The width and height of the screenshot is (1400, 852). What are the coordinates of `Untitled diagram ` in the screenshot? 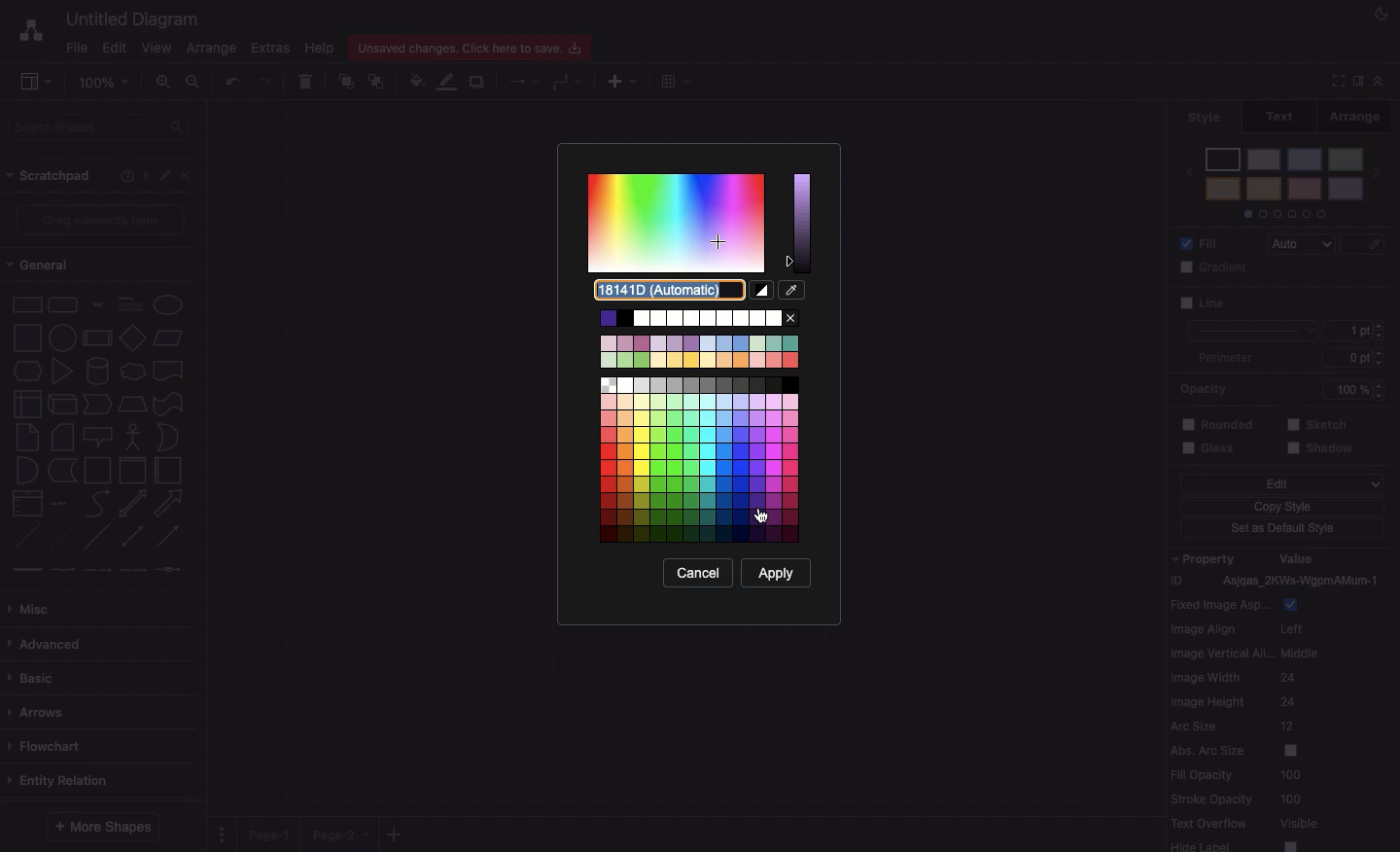 It's located at (134, 17).